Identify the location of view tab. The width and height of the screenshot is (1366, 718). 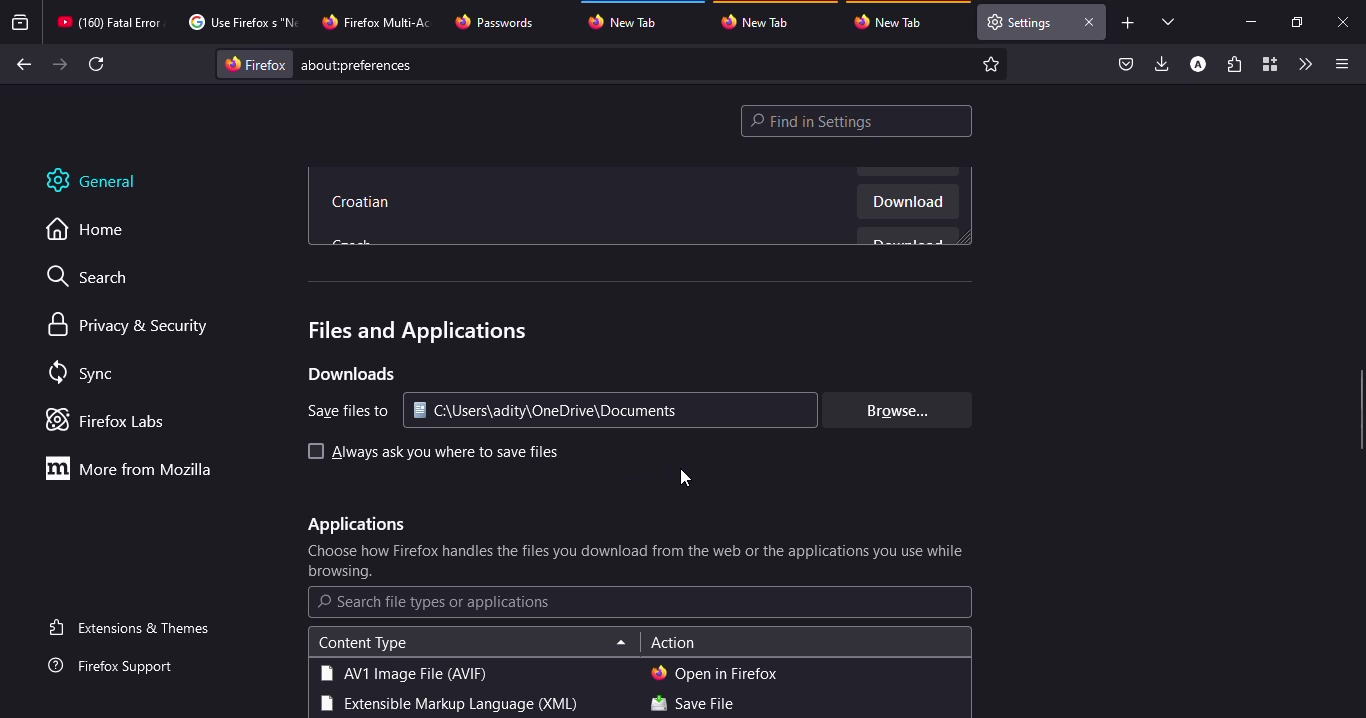
(1169, 21).